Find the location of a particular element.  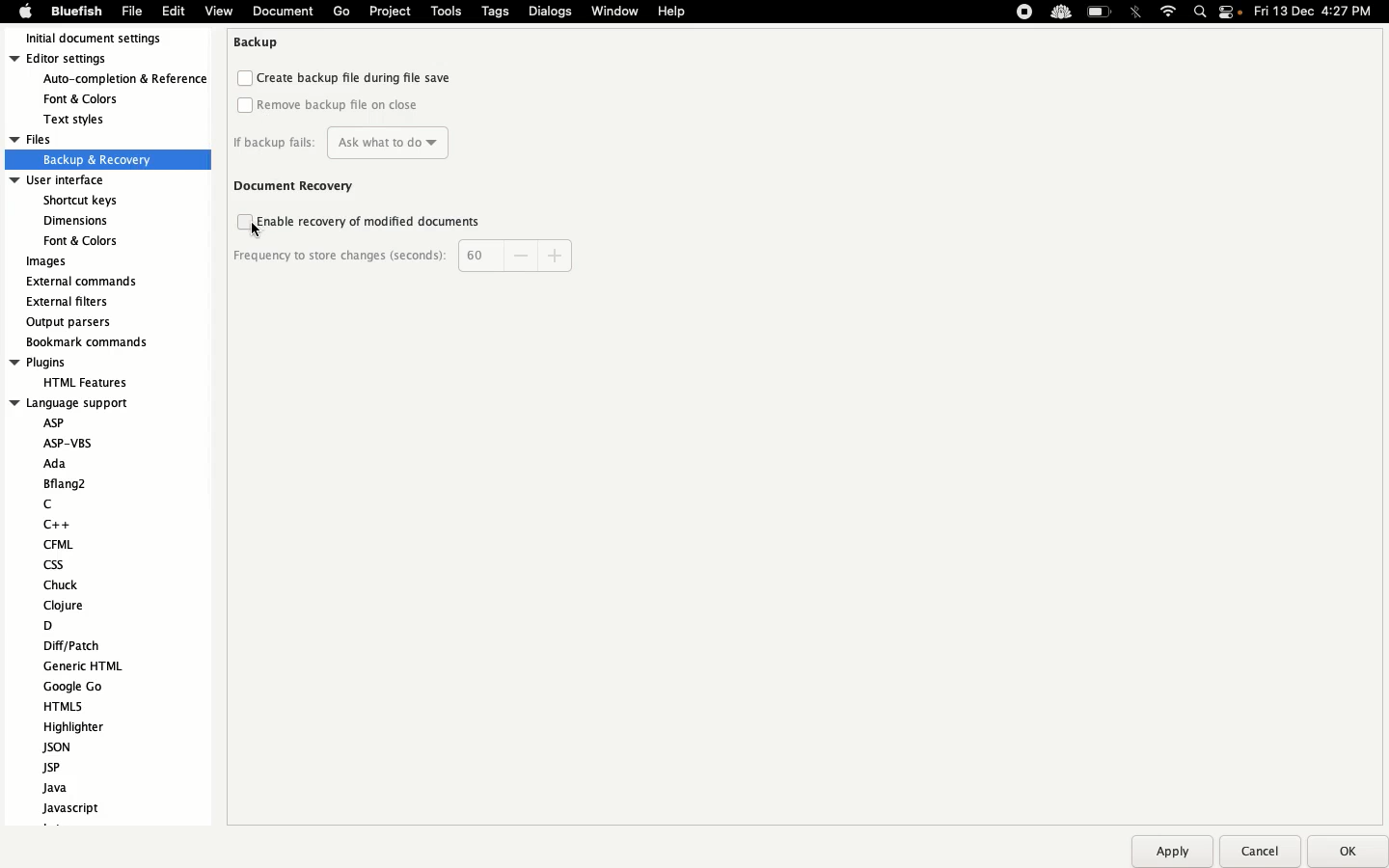

Editor settings is located at coordinates (108, 89).